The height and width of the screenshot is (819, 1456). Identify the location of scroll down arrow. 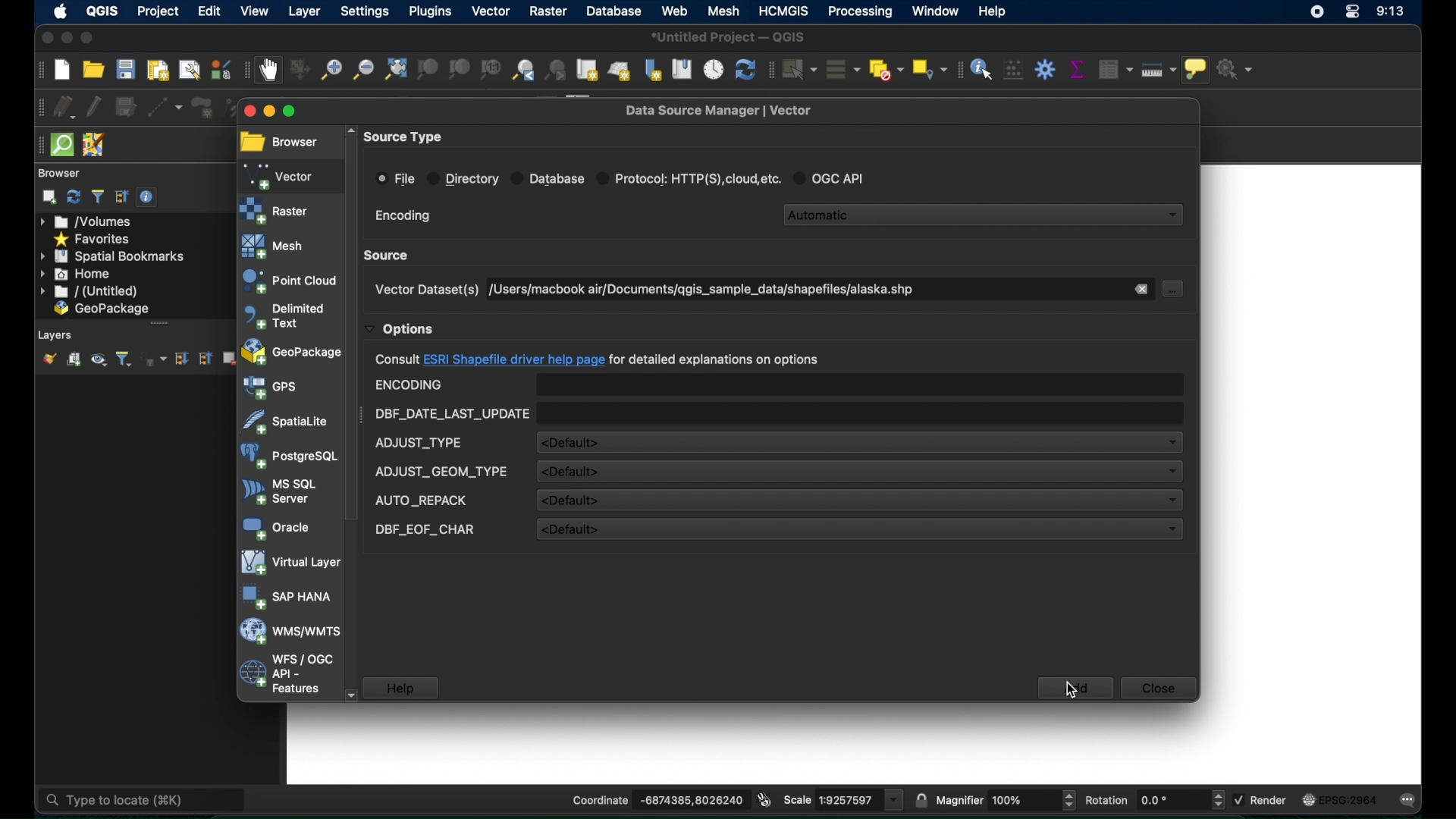
(351, 694).